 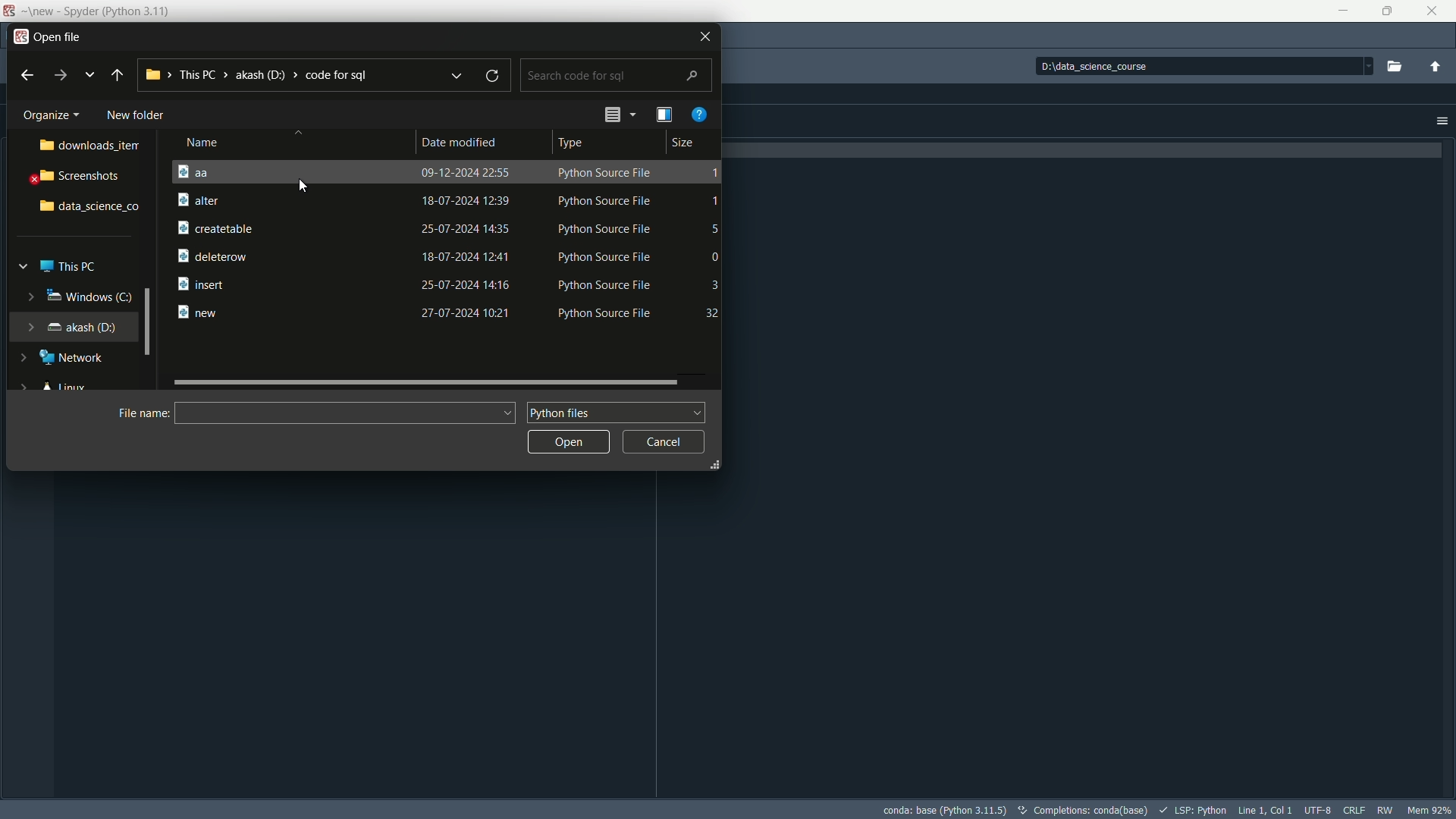 What do you see at coordinates (573, 142) in the screenshot?
I see `type` at bounding box center [573, 142].